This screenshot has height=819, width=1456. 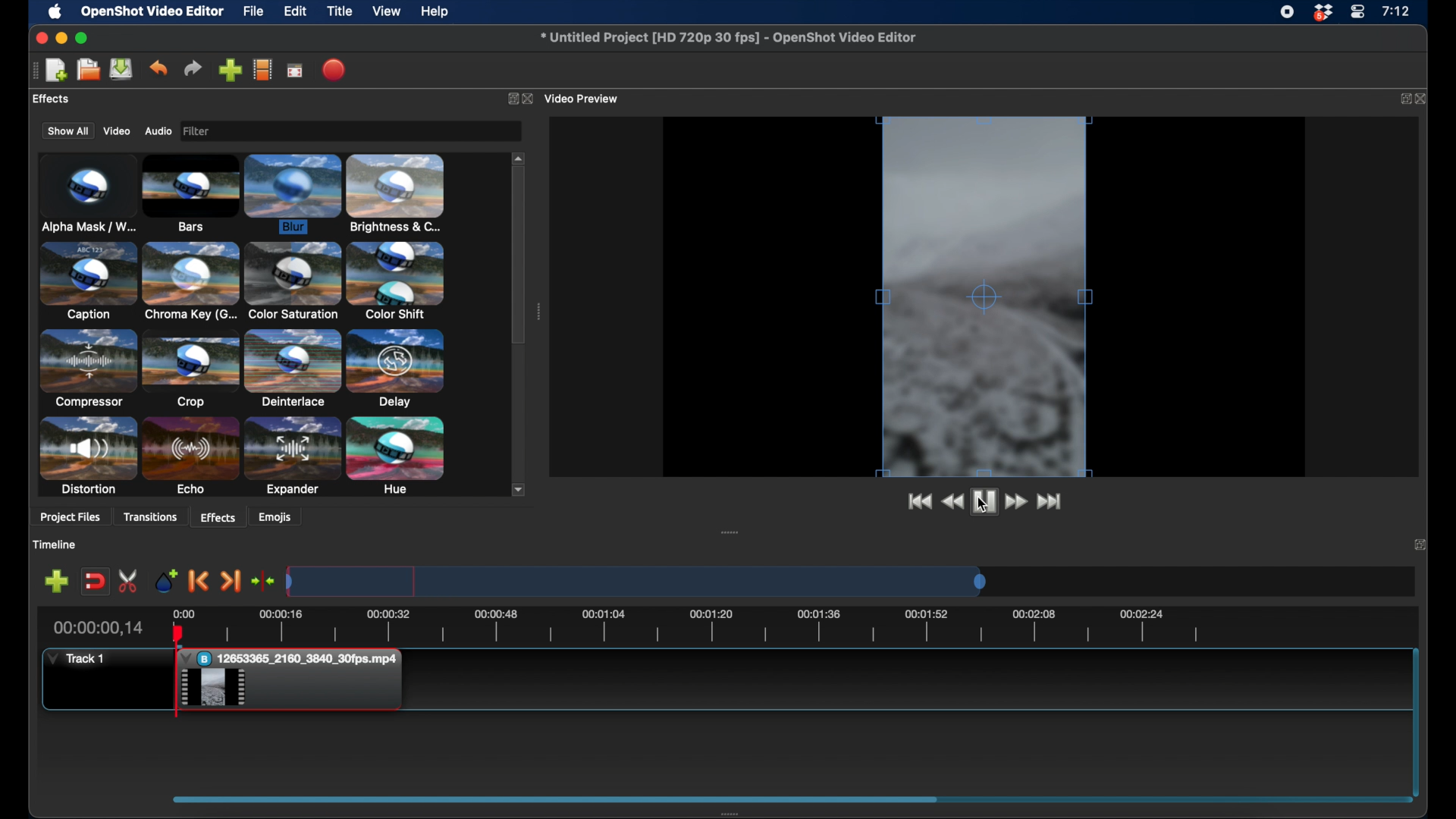 What do you see at coordinates (294, 195) in the screenshot?
I see `blur effect selected` at bounding box center [294, 195].